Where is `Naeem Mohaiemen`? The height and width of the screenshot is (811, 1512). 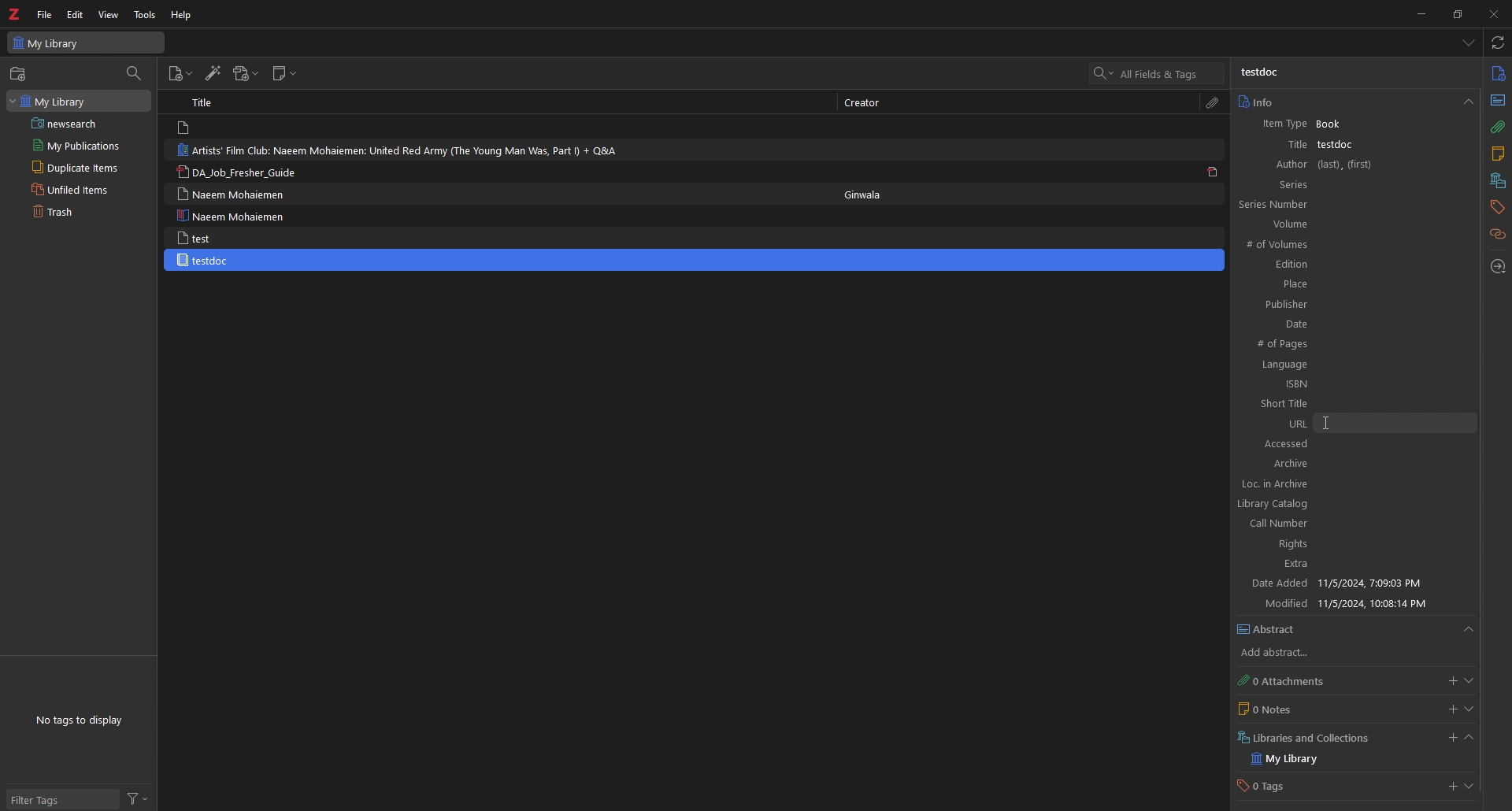
Naeem Mohaiemen is located at coordinates (230, 216).